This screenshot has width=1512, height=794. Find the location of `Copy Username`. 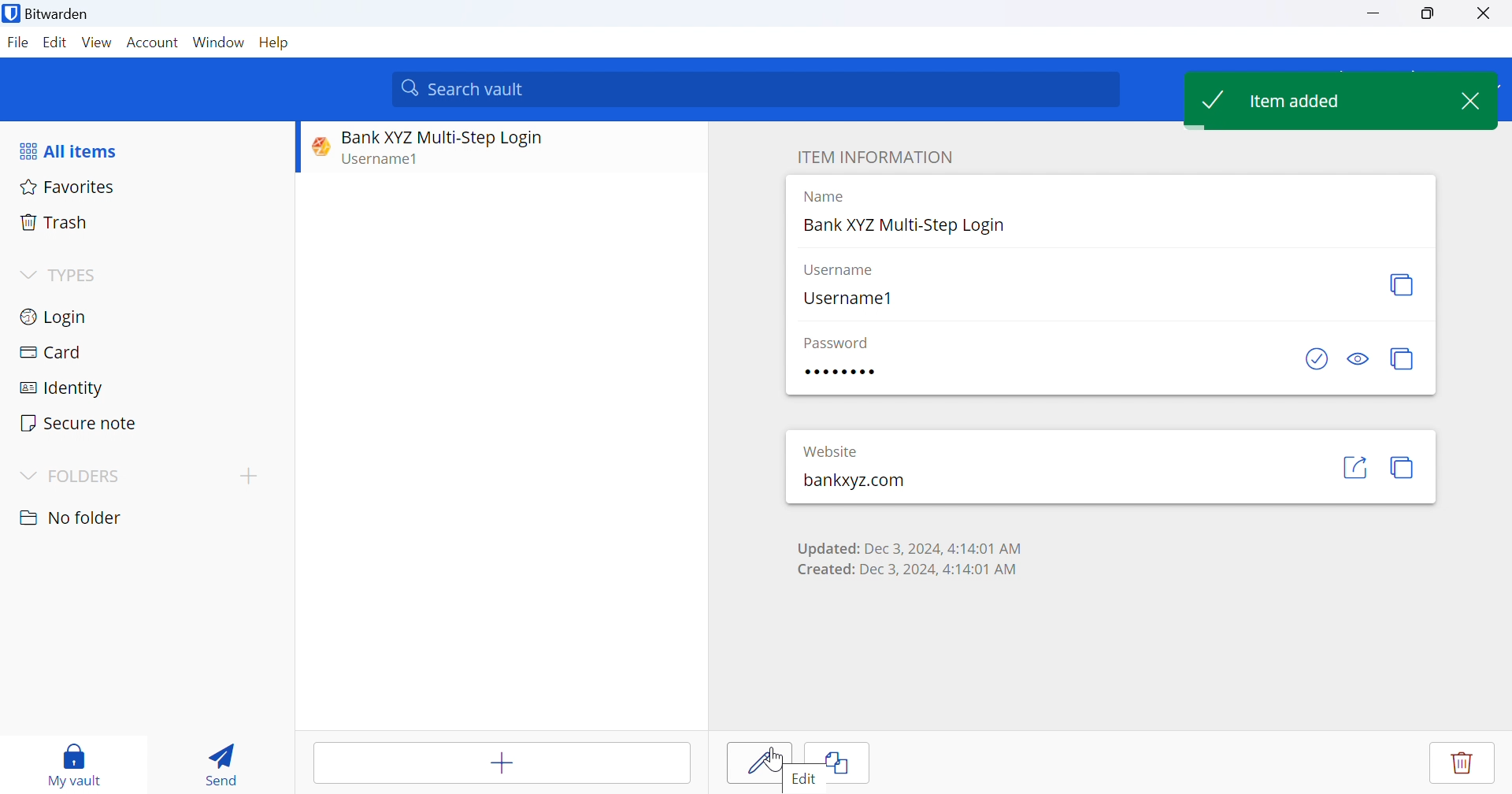

Copy Username is located at coordinates (1402, 284).